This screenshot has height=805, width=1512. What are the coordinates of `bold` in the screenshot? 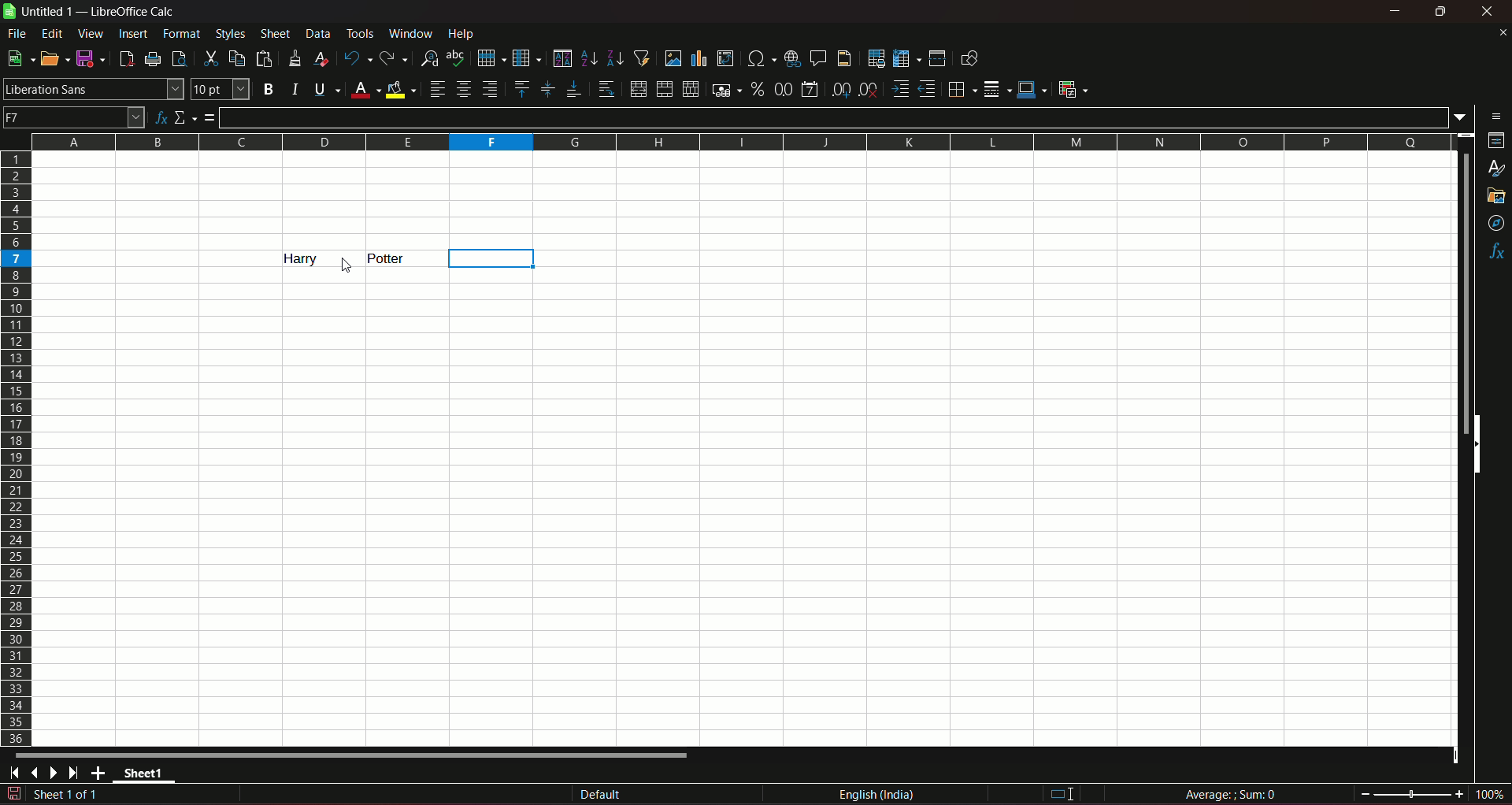 It's located at (268, 90).